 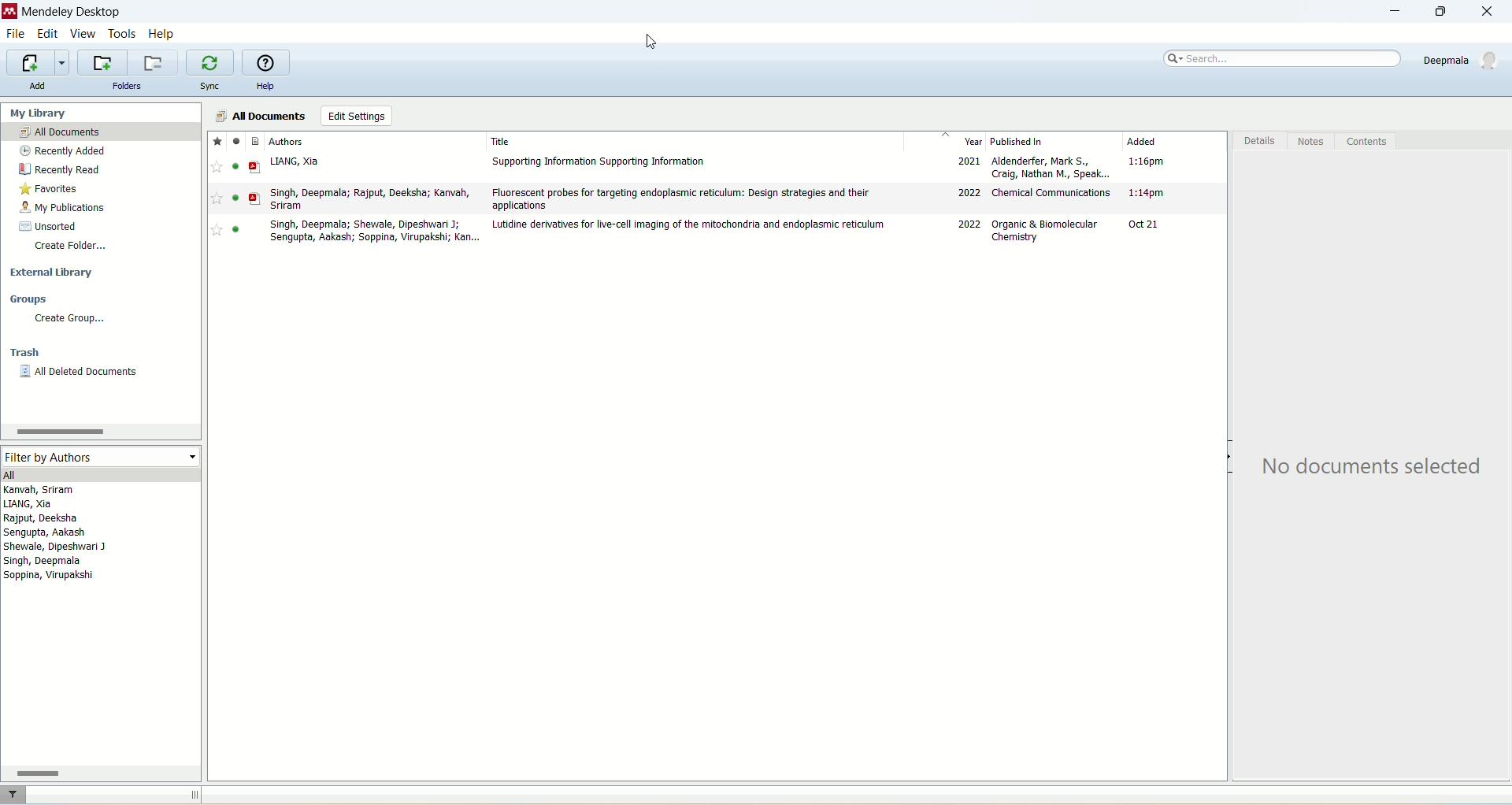 What do you see at coordinates (70, 247) in the screenshot?
I see `create folder` at bounding box center [70, 247].